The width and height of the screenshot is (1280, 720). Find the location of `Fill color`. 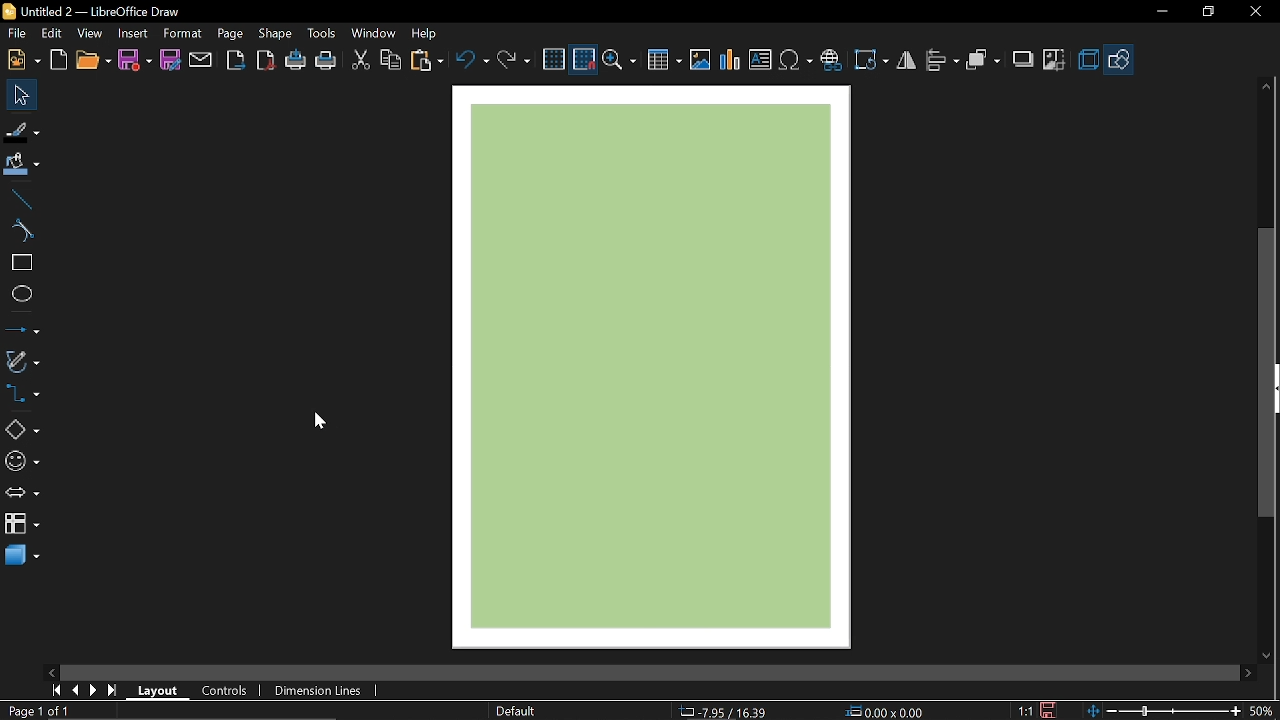

Fill color is located at coordinates (21, 166).